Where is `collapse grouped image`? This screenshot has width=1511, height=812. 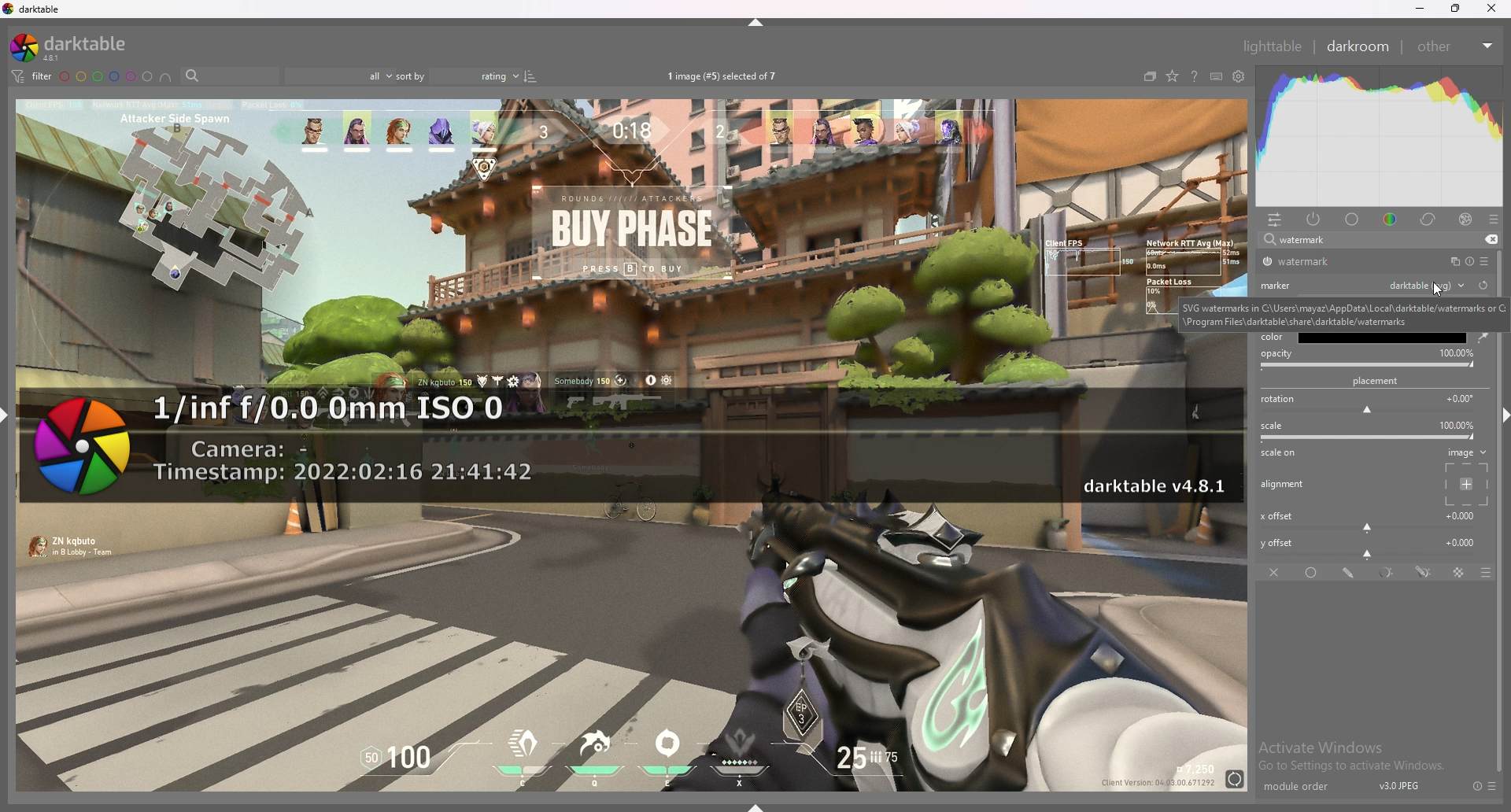
collapse grouped image is located at coordinates (1150, 76).